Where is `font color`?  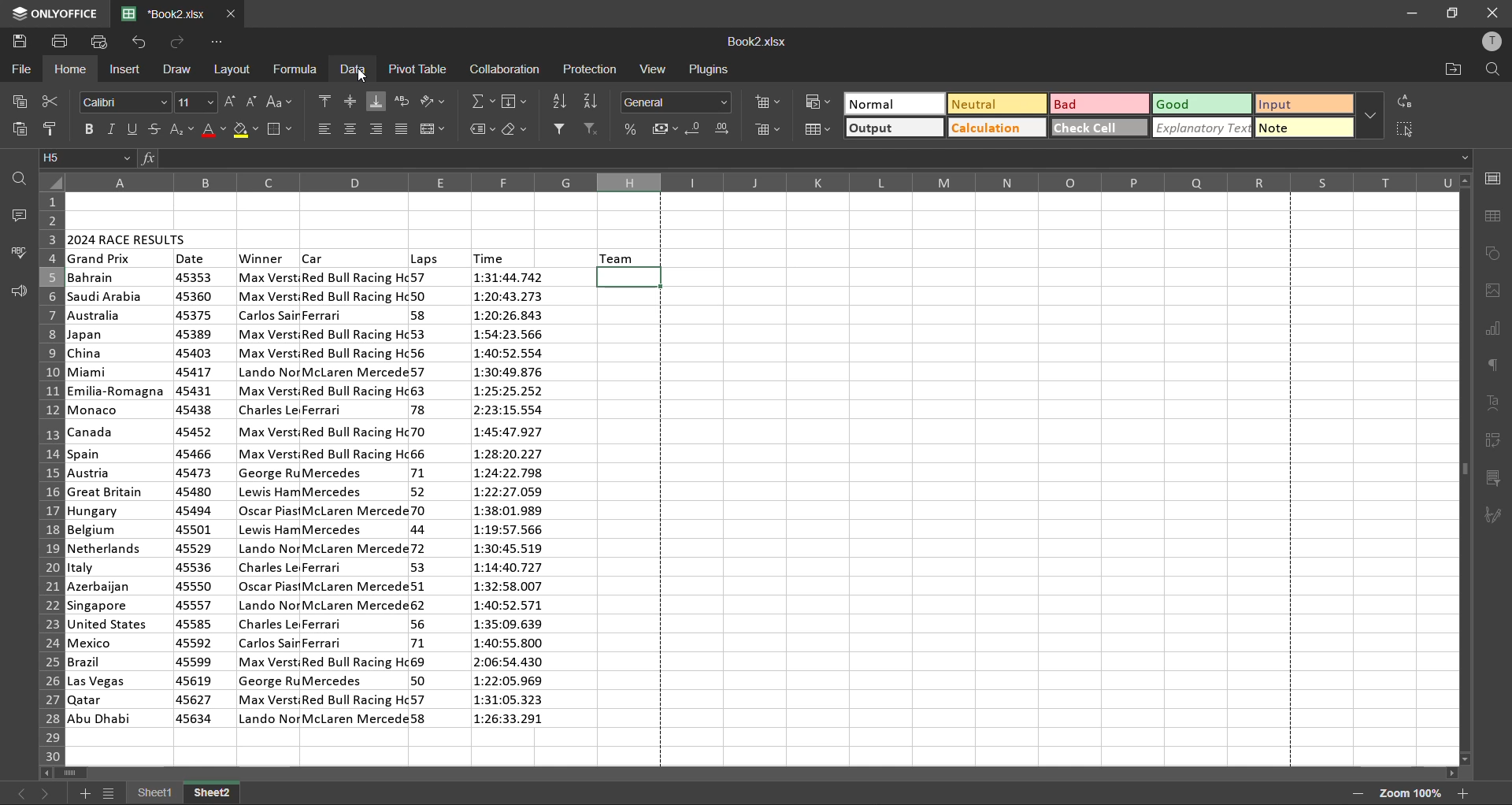
font color is located at coordinates (216, 131).